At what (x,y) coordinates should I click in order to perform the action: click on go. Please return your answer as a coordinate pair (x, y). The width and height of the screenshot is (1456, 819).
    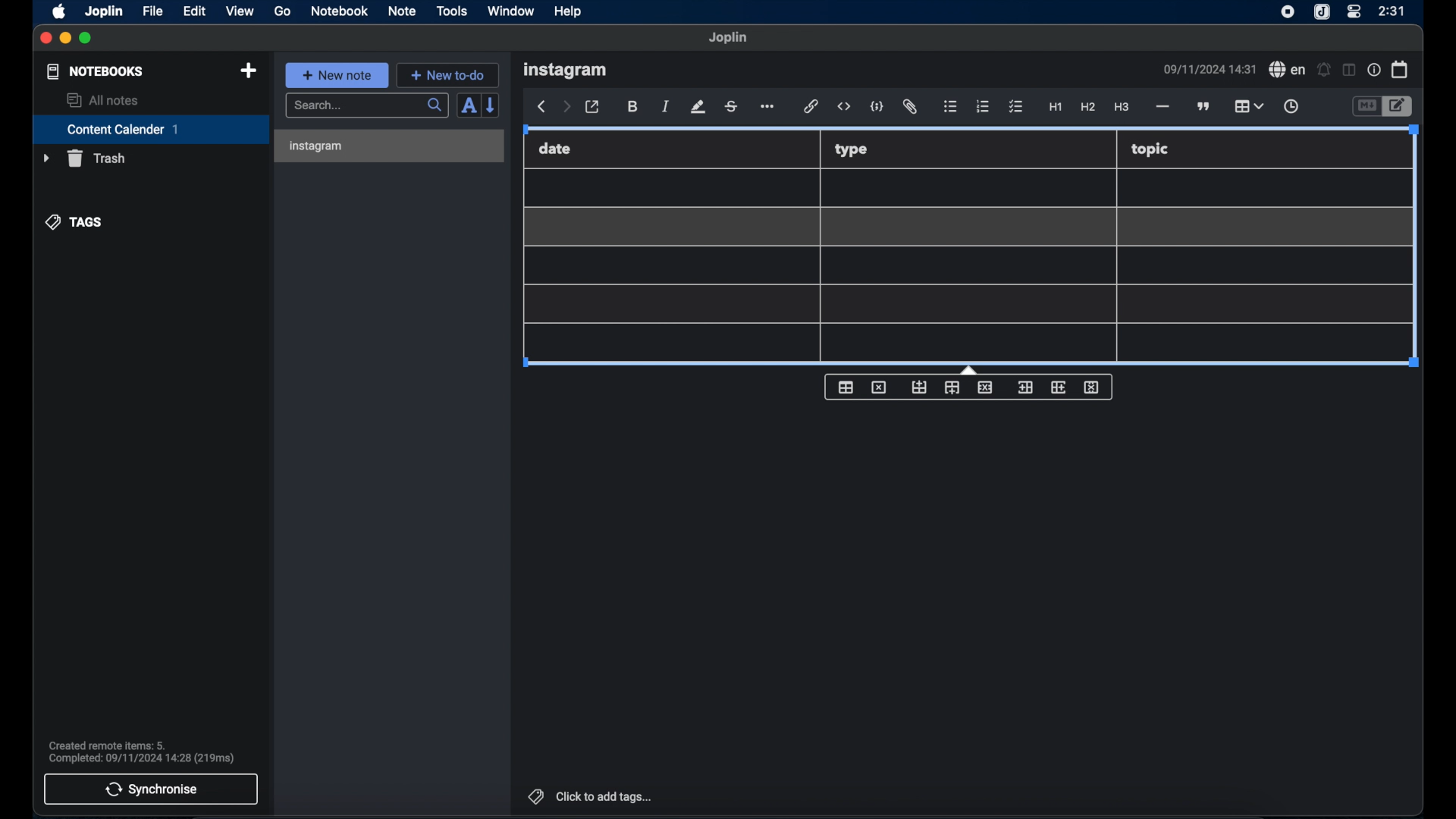
    Looking at the image, I should click on (284, 11).